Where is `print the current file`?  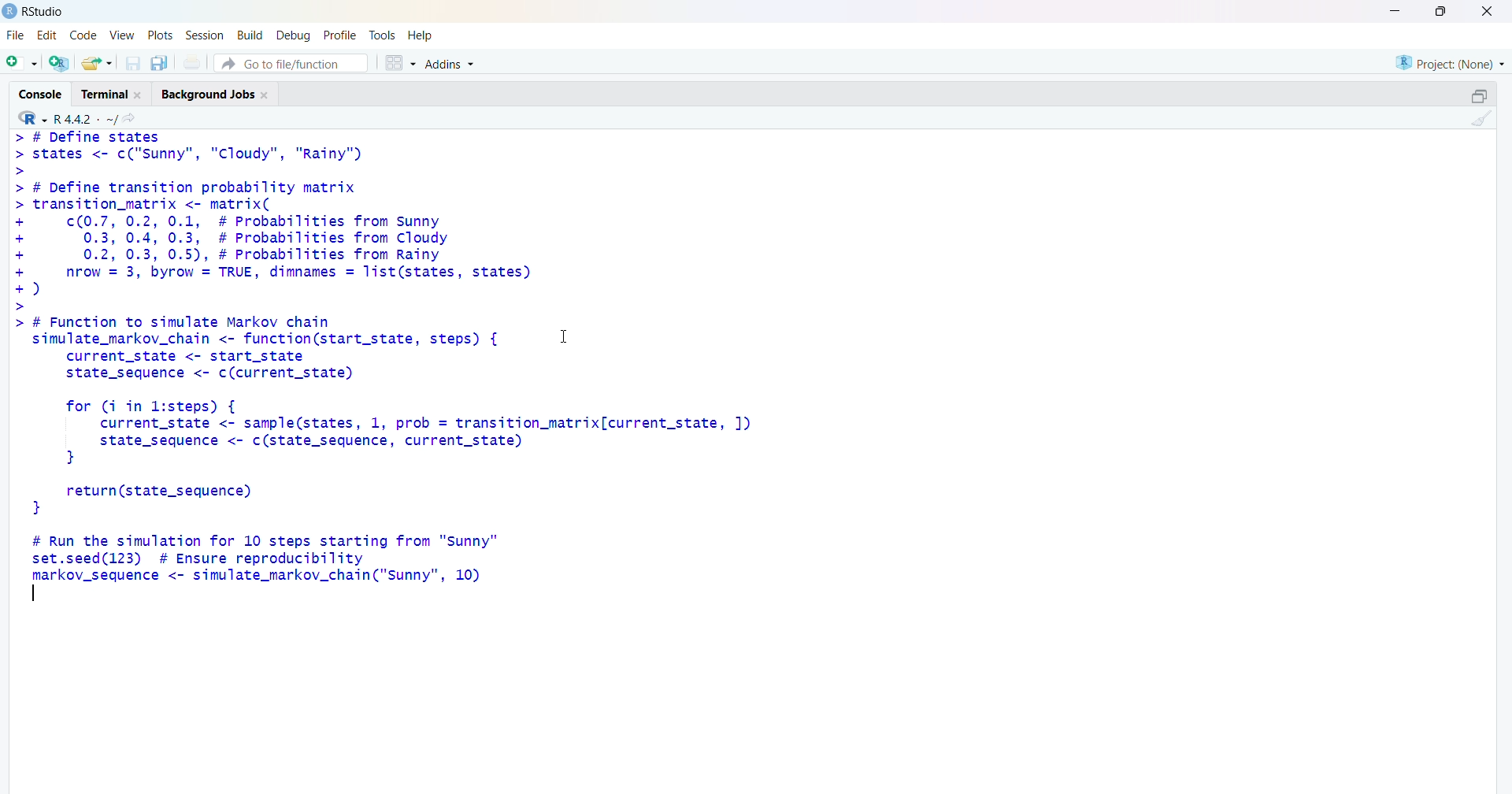
print the current file is located at coordinates (195, 62).